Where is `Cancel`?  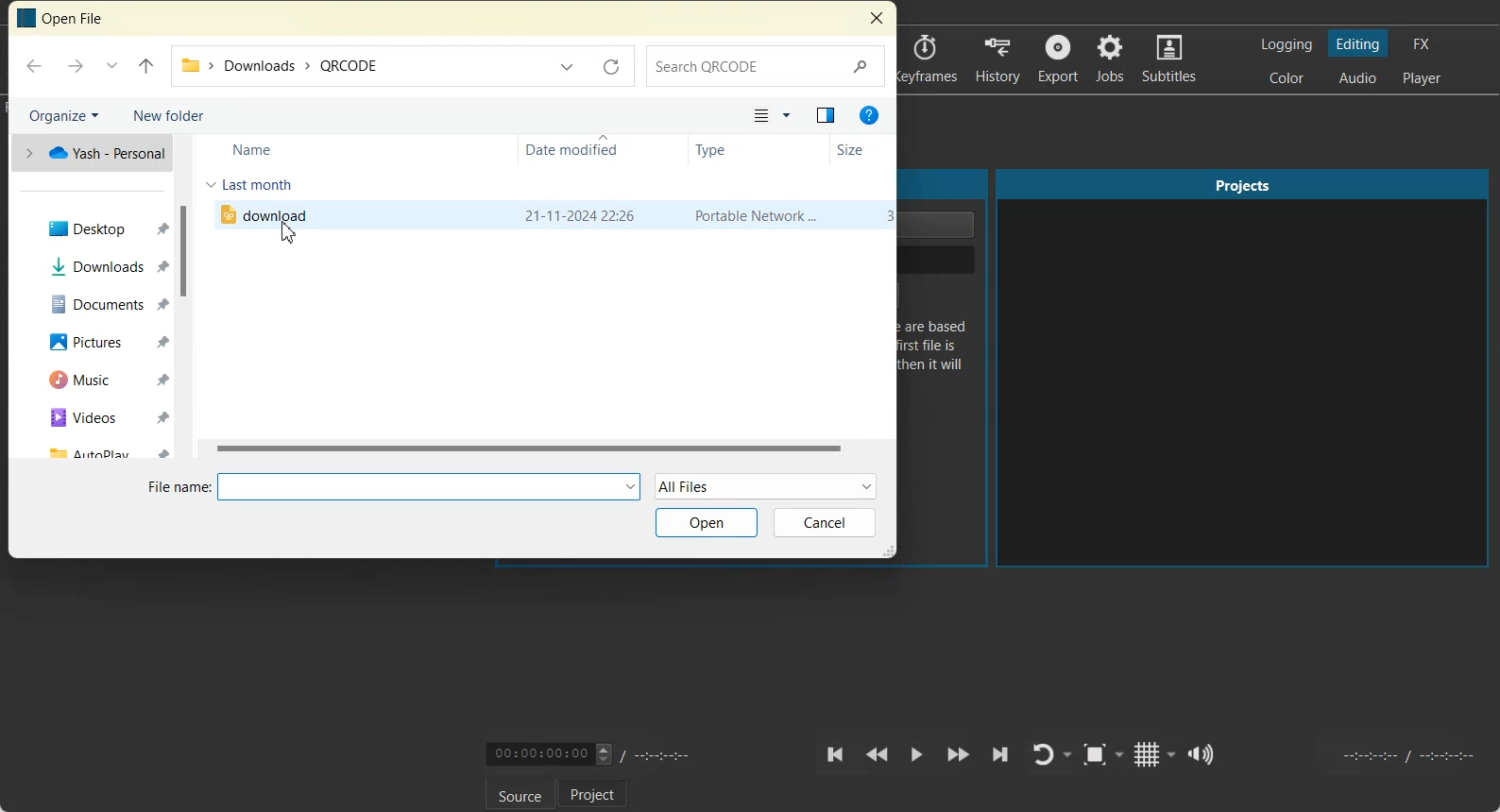 Cancel is located at coordinates (826, 523).